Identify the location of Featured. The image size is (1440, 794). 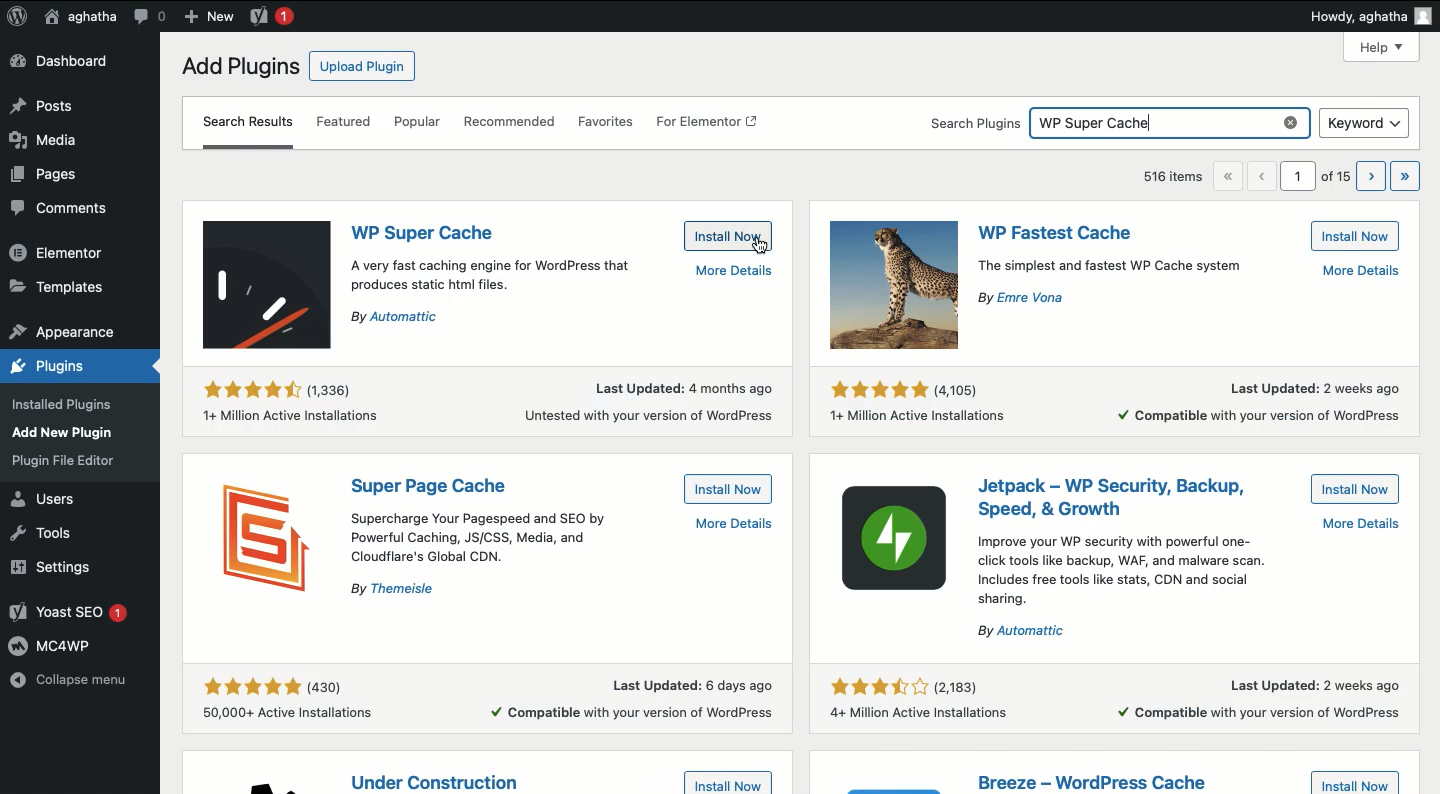
(342, 124).